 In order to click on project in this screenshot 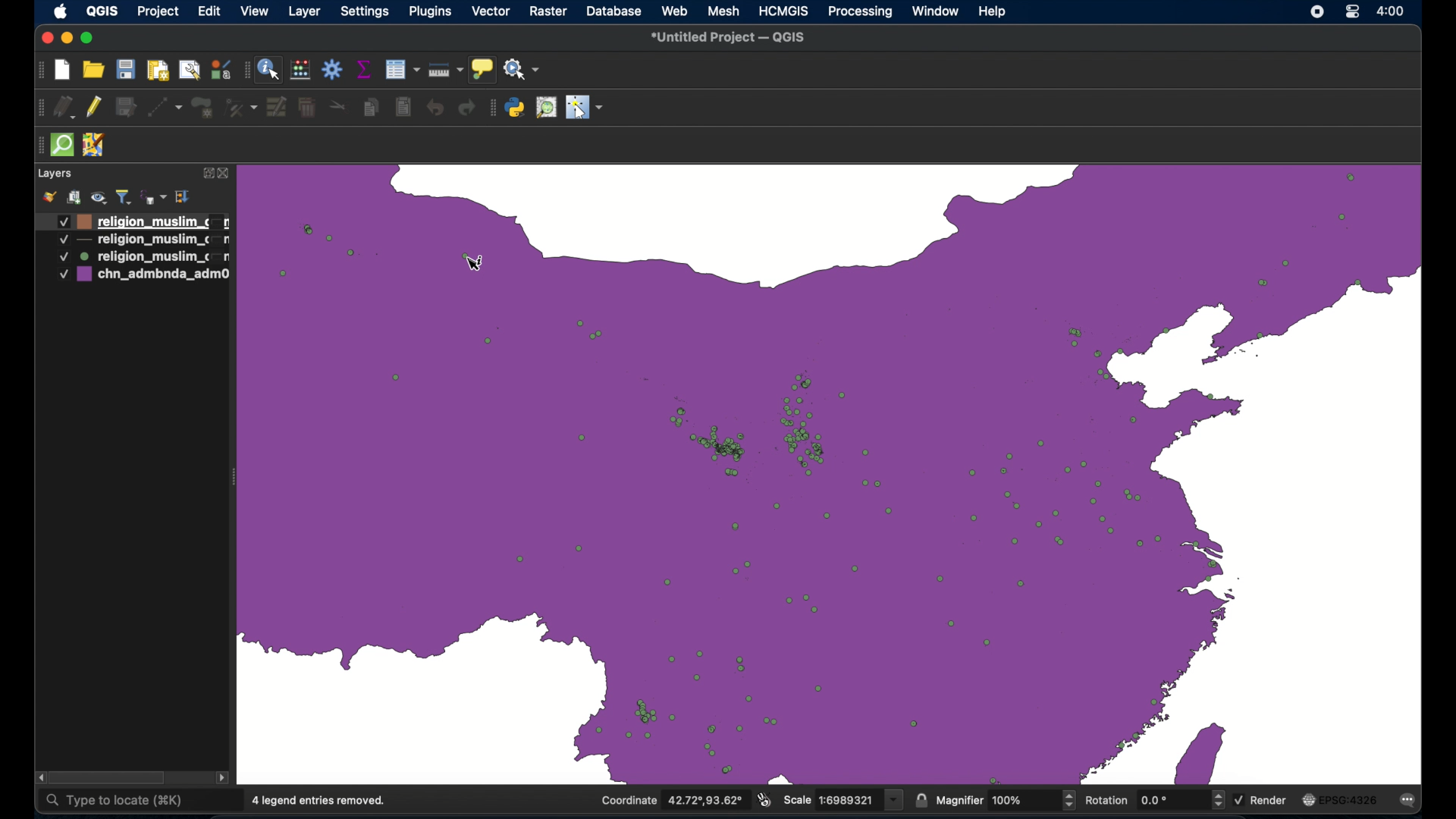, I will do `click(156, 13)`.